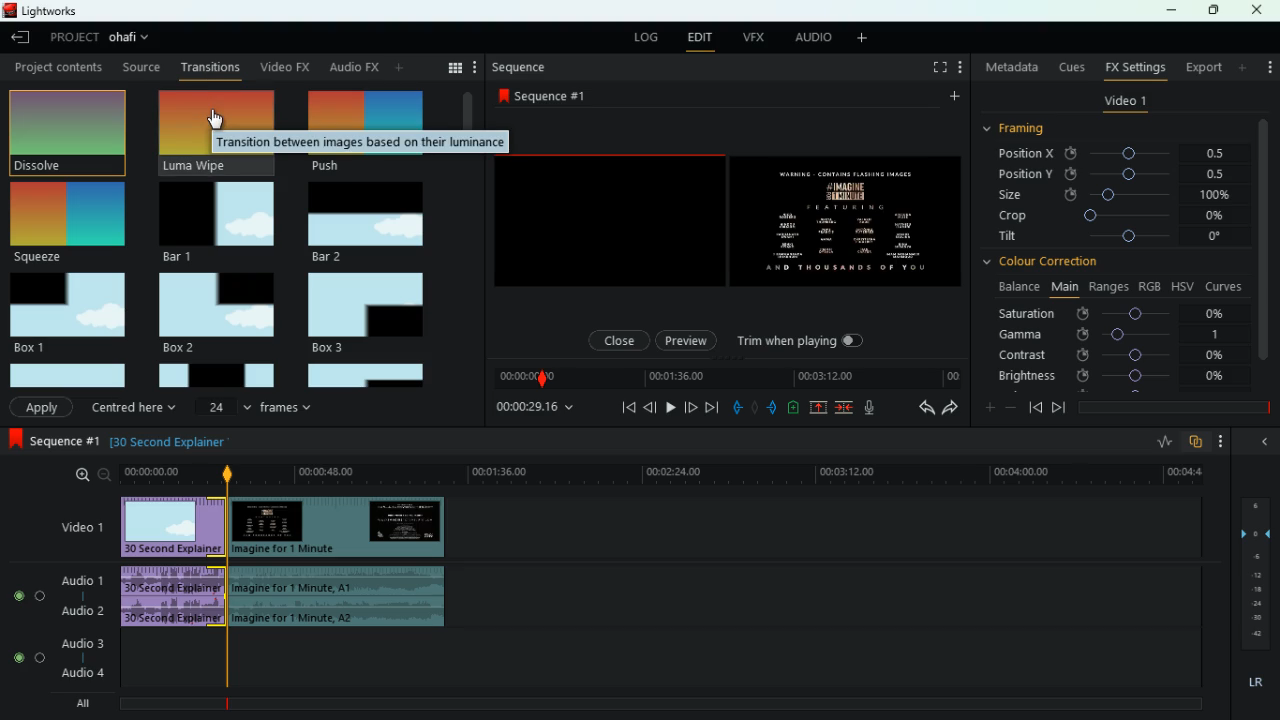 The image size is (1280, 720). I want to click on frames, so click(289, 406).